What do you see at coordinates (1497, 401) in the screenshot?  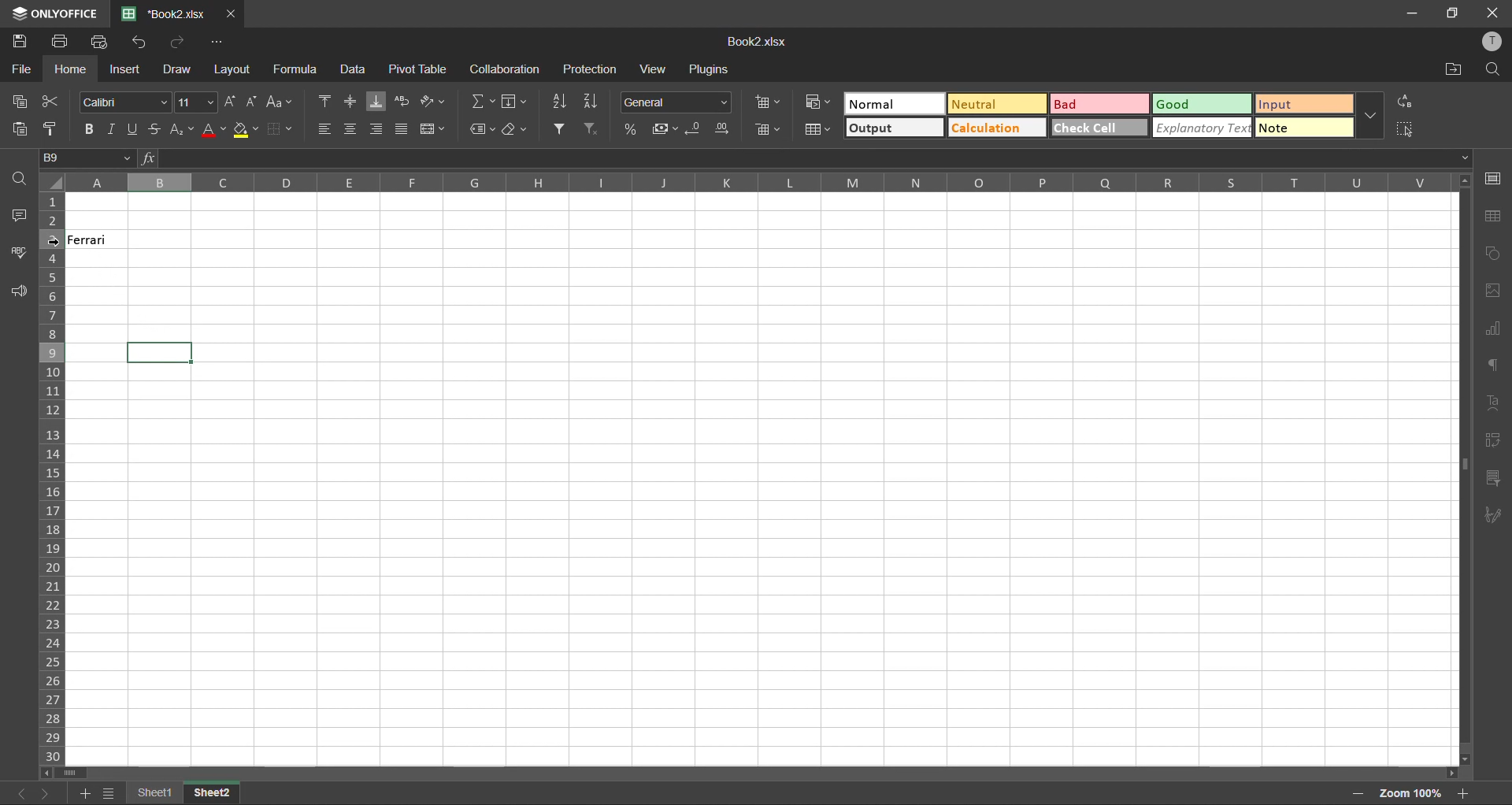 I see `text` at bounding box center [1497, 401].